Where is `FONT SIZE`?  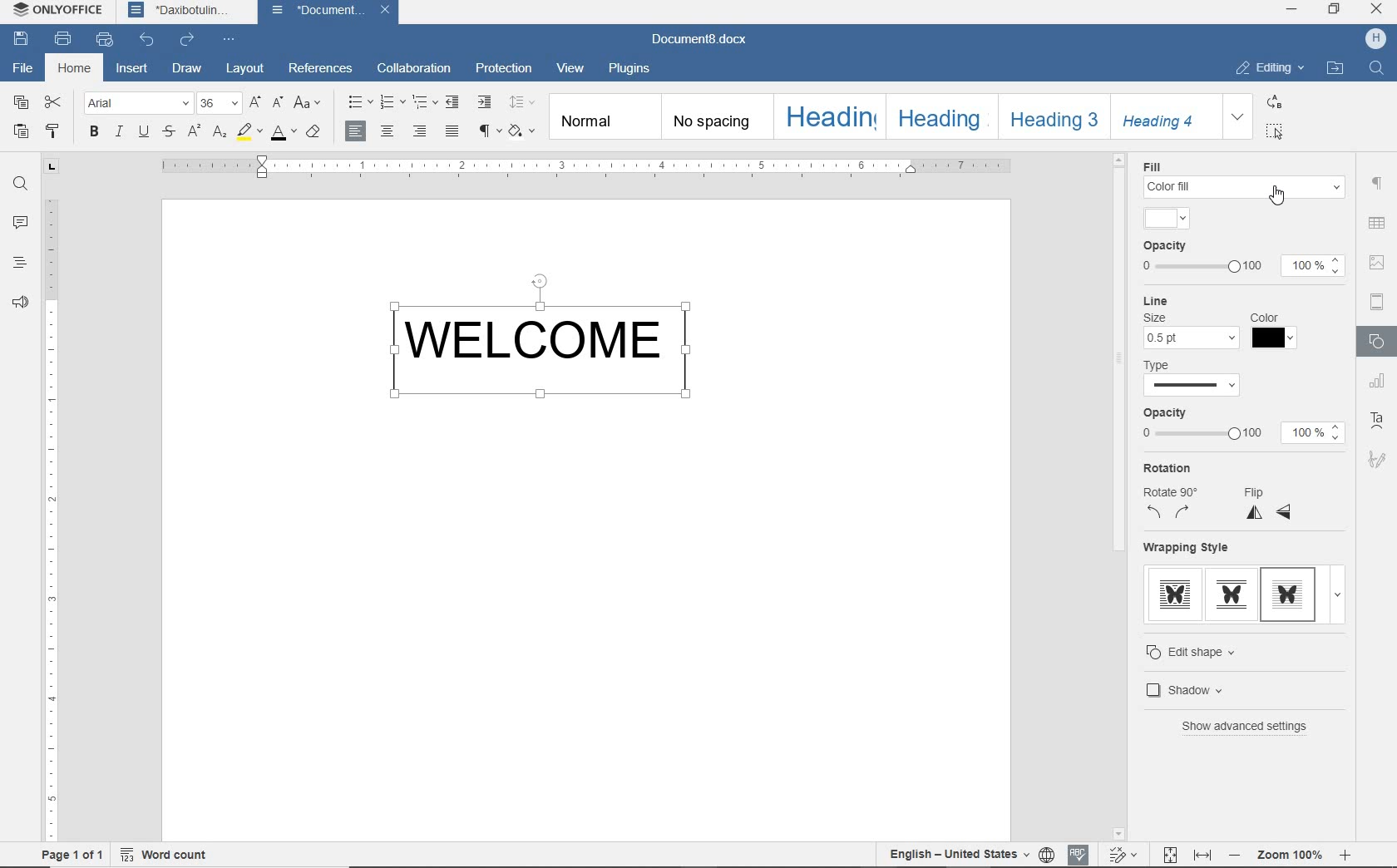
FONT SIZE is located at coordinates (218, 103).